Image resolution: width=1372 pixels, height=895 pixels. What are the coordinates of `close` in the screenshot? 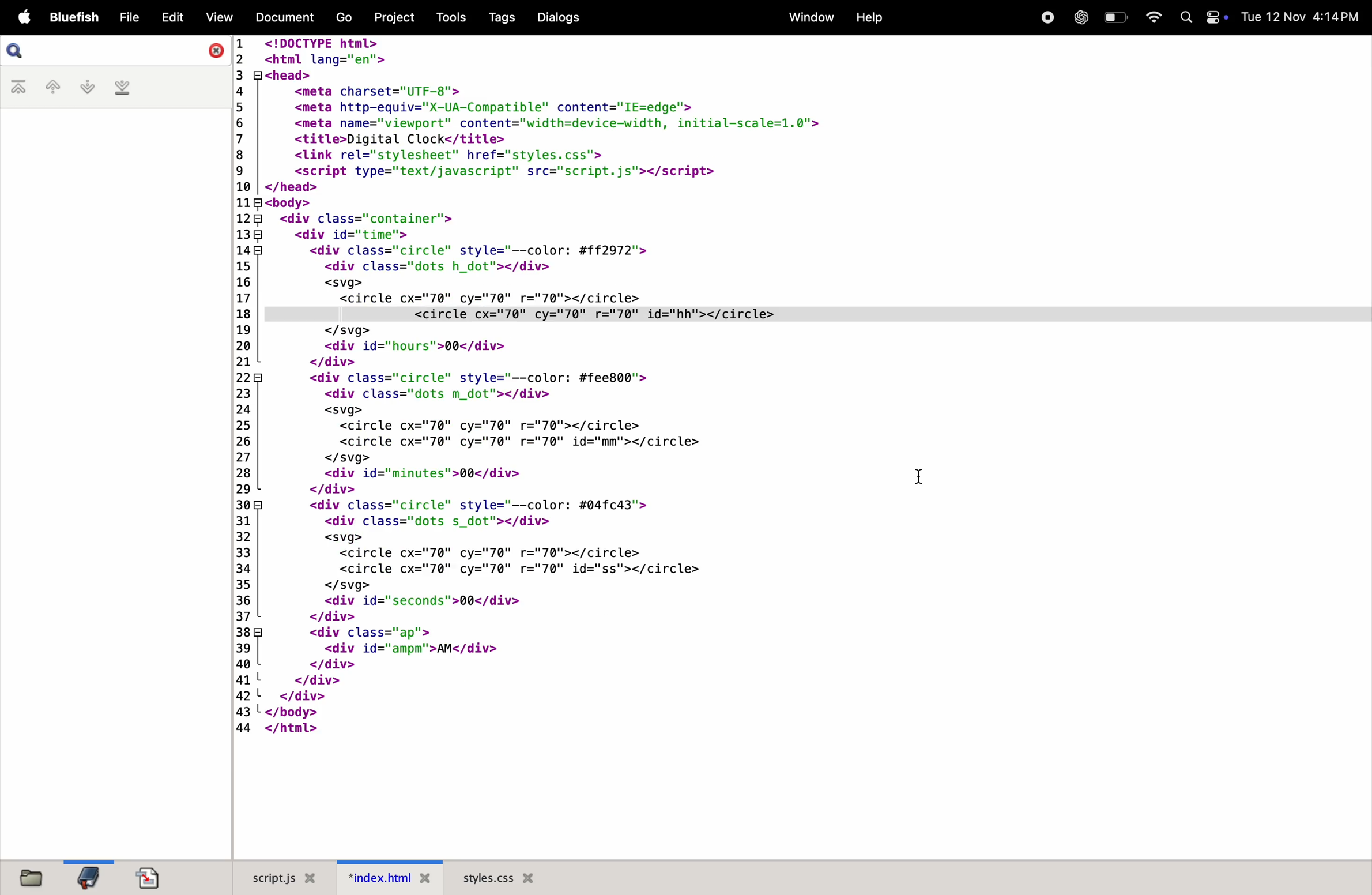 It's located at (211, 50).